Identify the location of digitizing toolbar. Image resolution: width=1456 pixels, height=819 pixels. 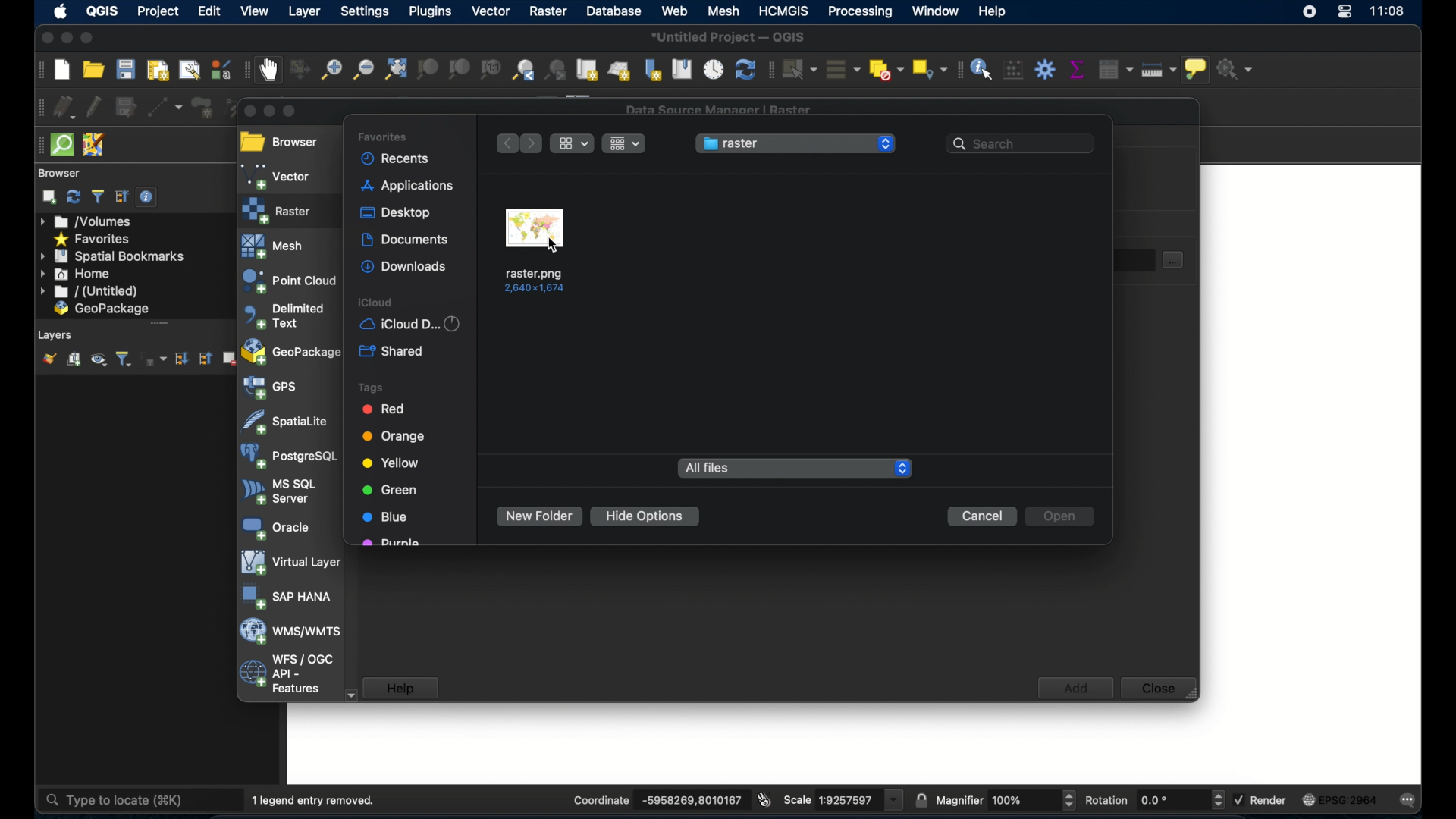
(36, 108).